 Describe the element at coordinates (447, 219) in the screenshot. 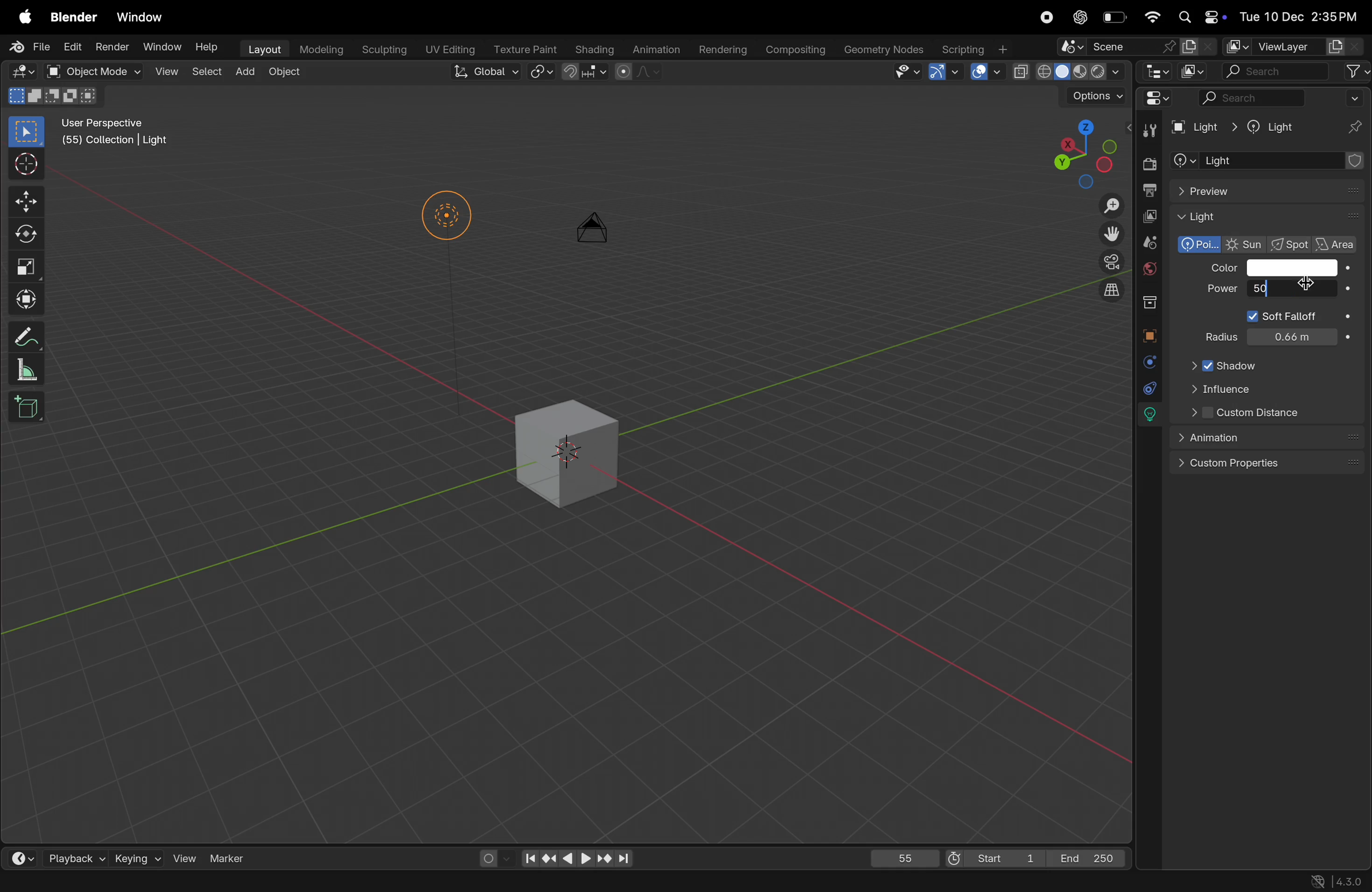

I see `Lights` at that location.